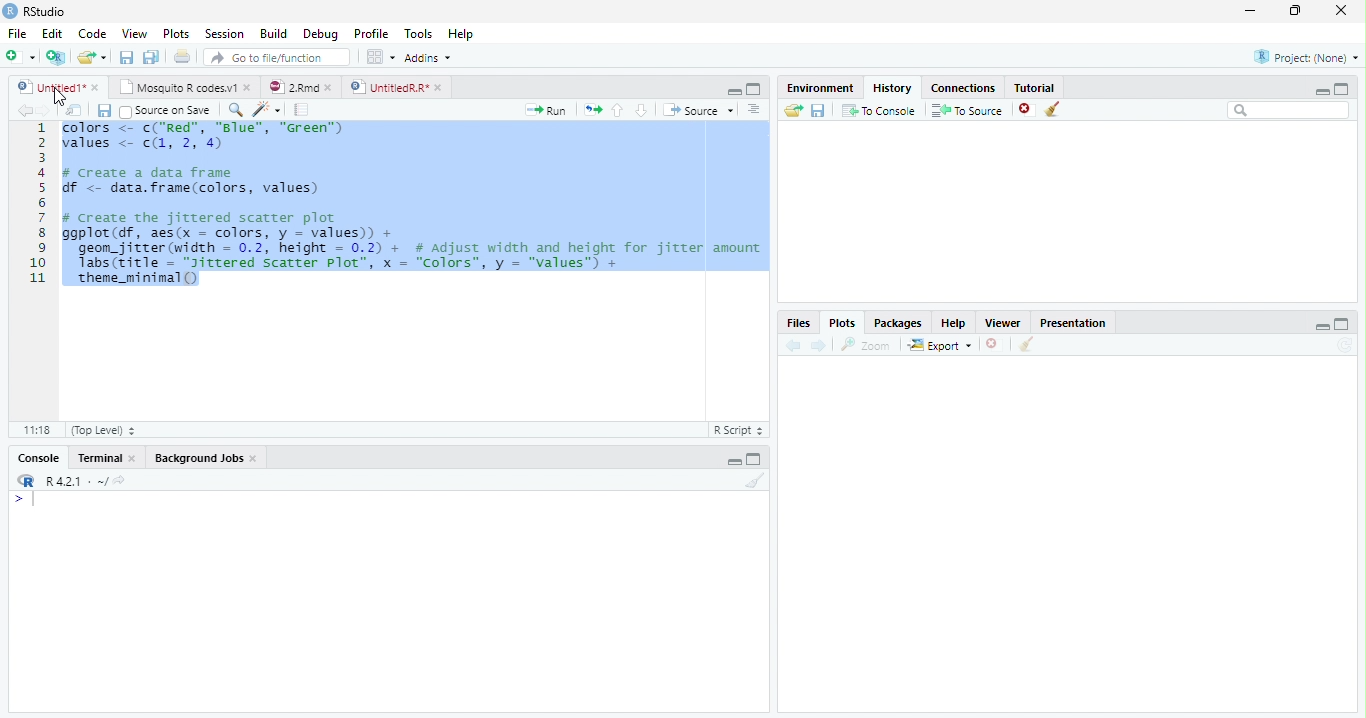 Image resolution: width=1366 pixels, height=718 pixels. Describe the element at coordinates (698, 110) in the screenshot. I see `Source` at that location.